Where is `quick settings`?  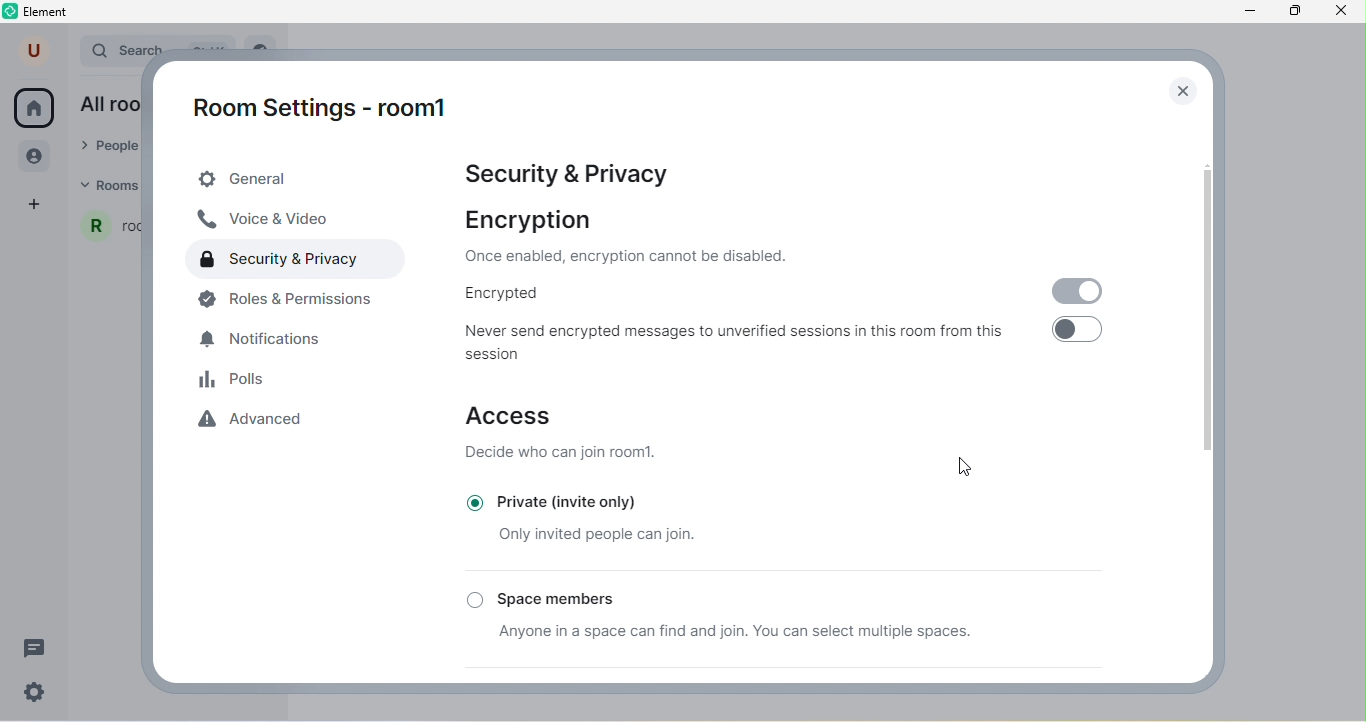 quick settings is located at coordinates (41, 693).